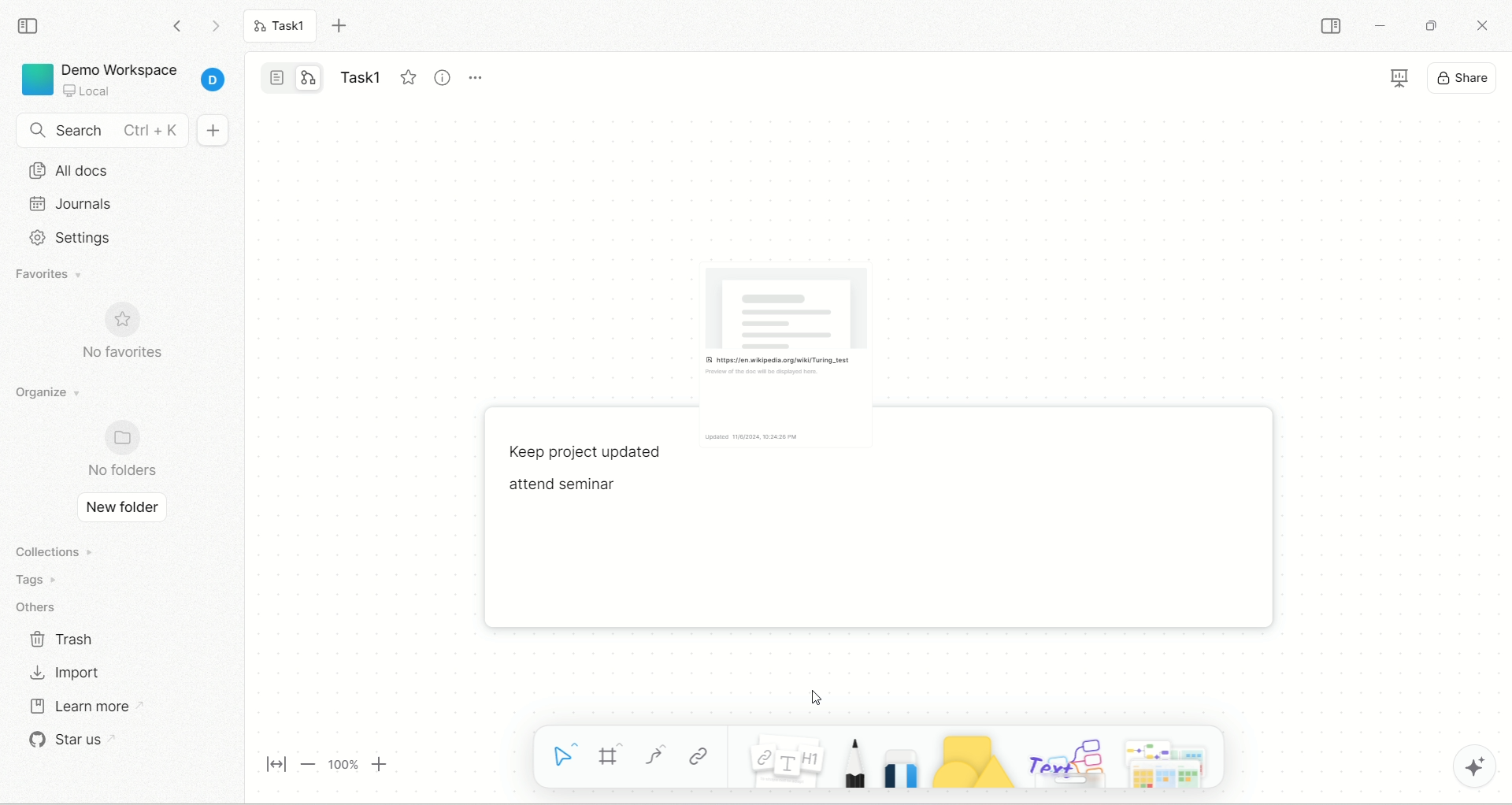 The width and height of the screenshot is (1512, 805). I want to click on account, so click(213, 81).